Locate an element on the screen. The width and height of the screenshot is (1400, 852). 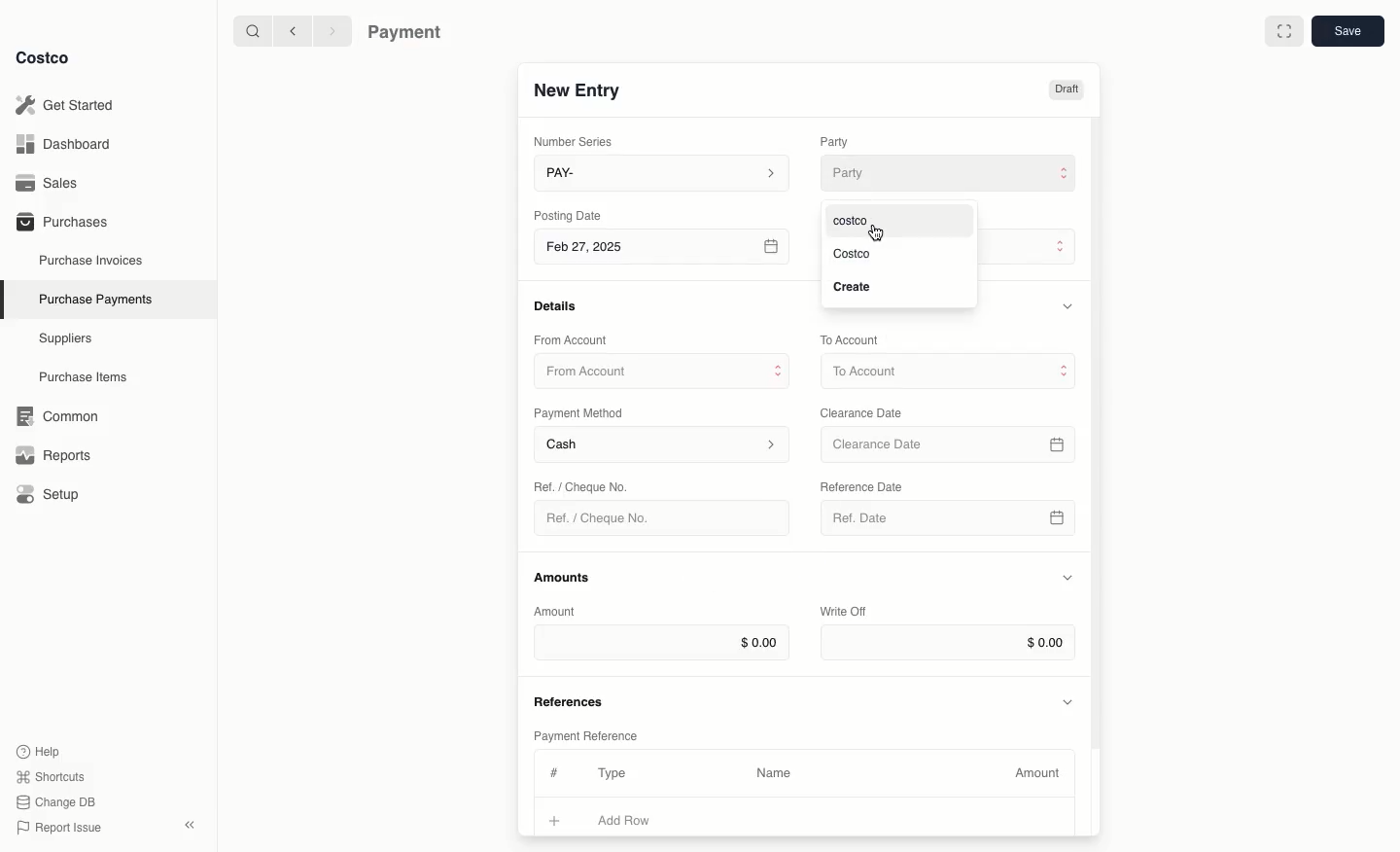
Clearance Date is located at coordinates (951, 445).